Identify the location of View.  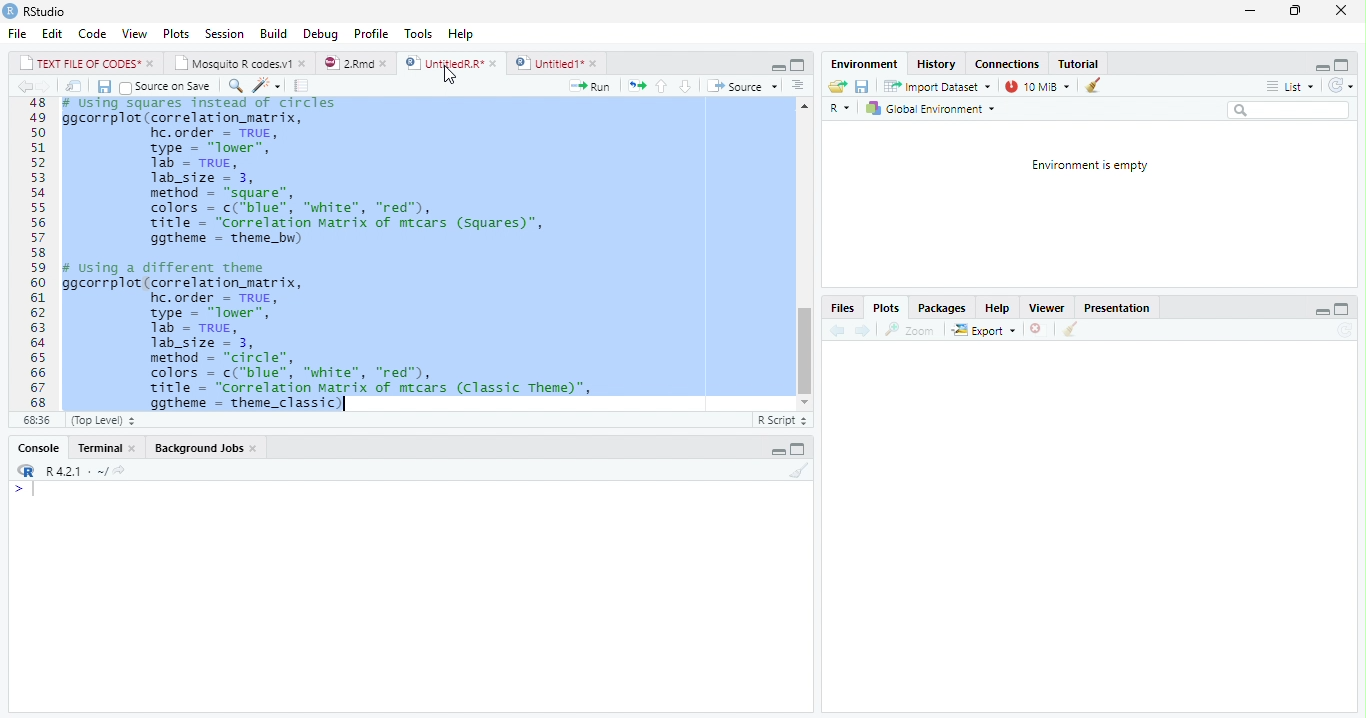
(135, 32).